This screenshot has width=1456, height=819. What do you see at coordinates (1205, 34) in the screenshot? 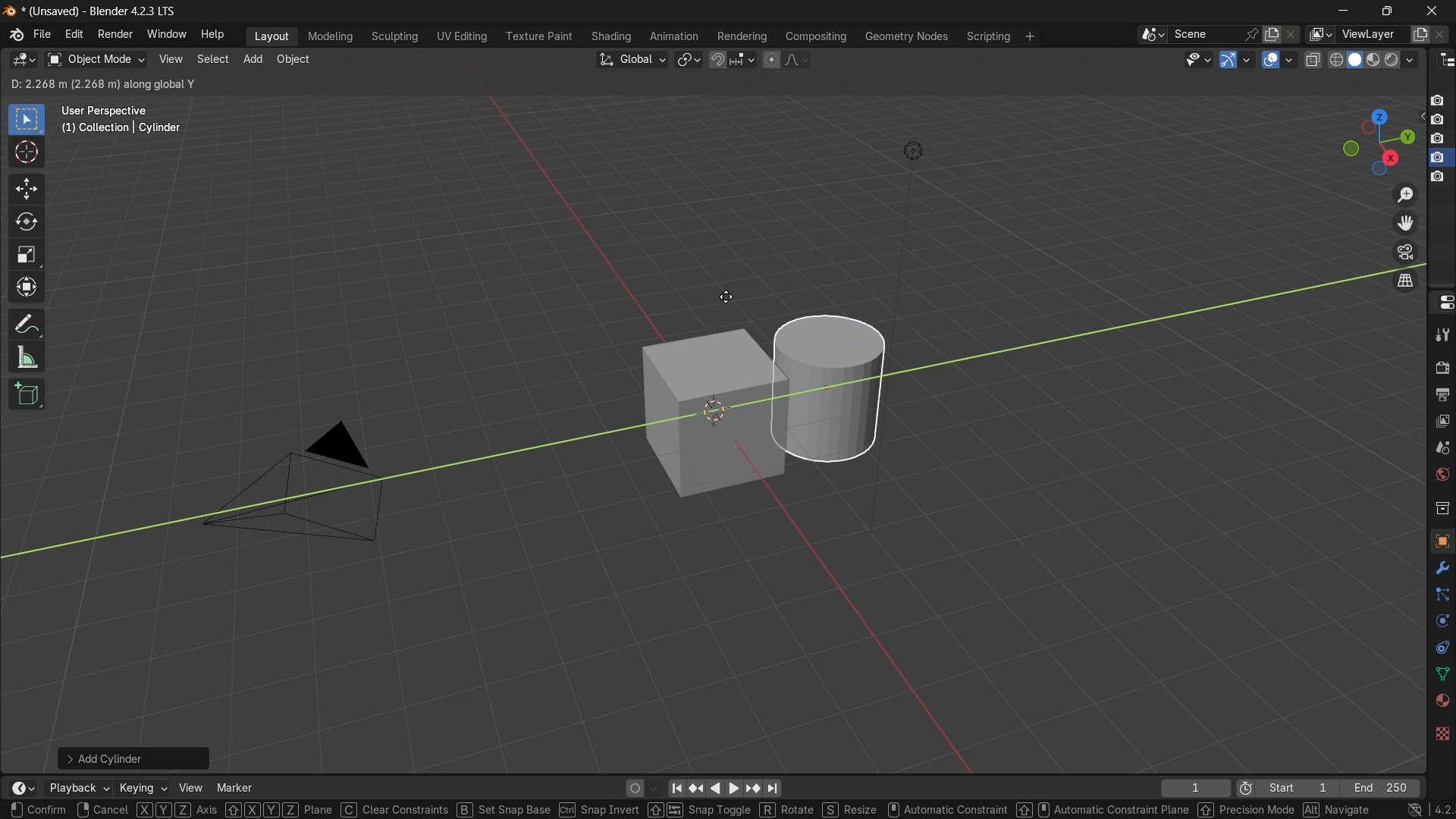
I see `scene name` at bounding box center [1205, 34].